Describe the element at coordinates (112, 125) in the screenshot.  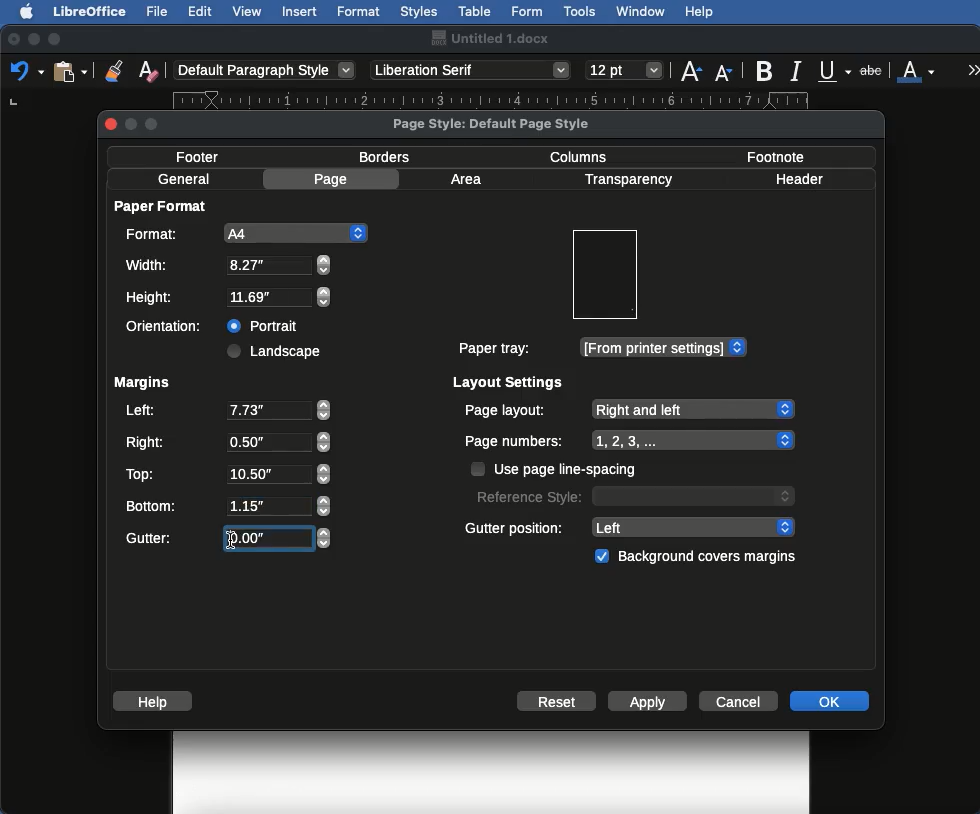
I see `close` at that location.